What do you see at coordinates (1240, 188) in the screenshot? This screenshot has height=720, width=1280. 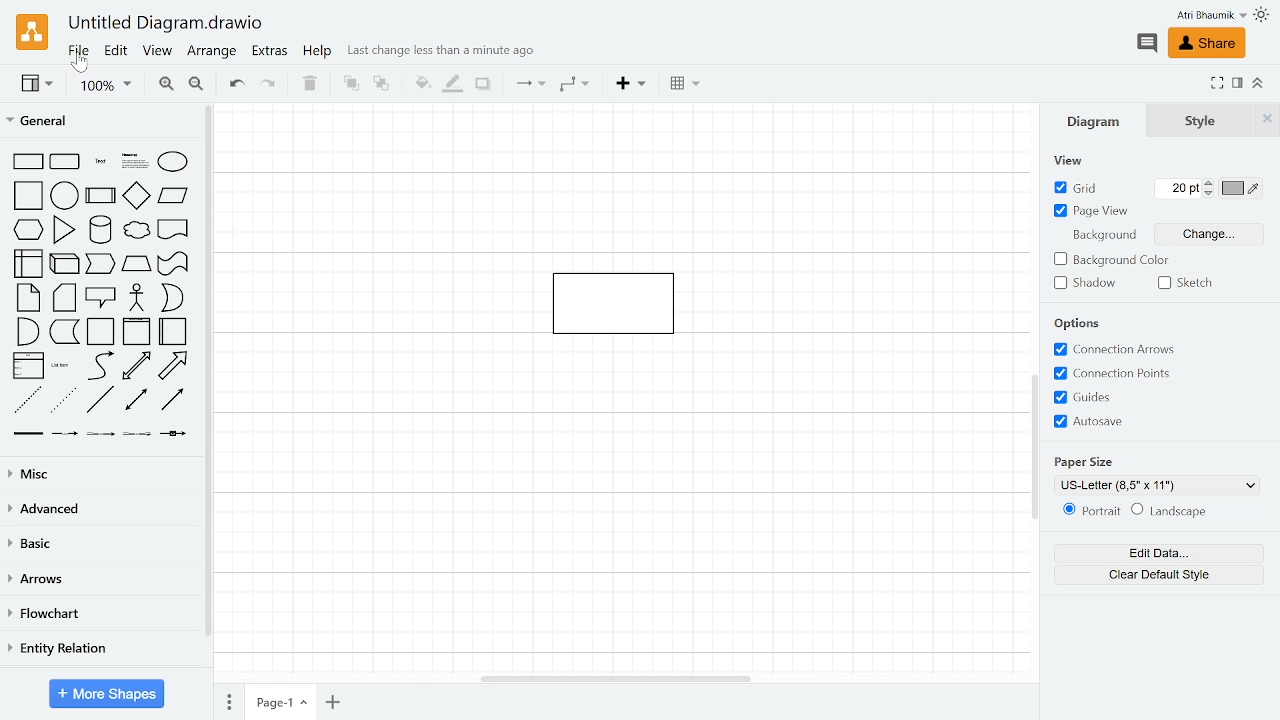 I see `Grid color` at bounding box center [1240, 188].